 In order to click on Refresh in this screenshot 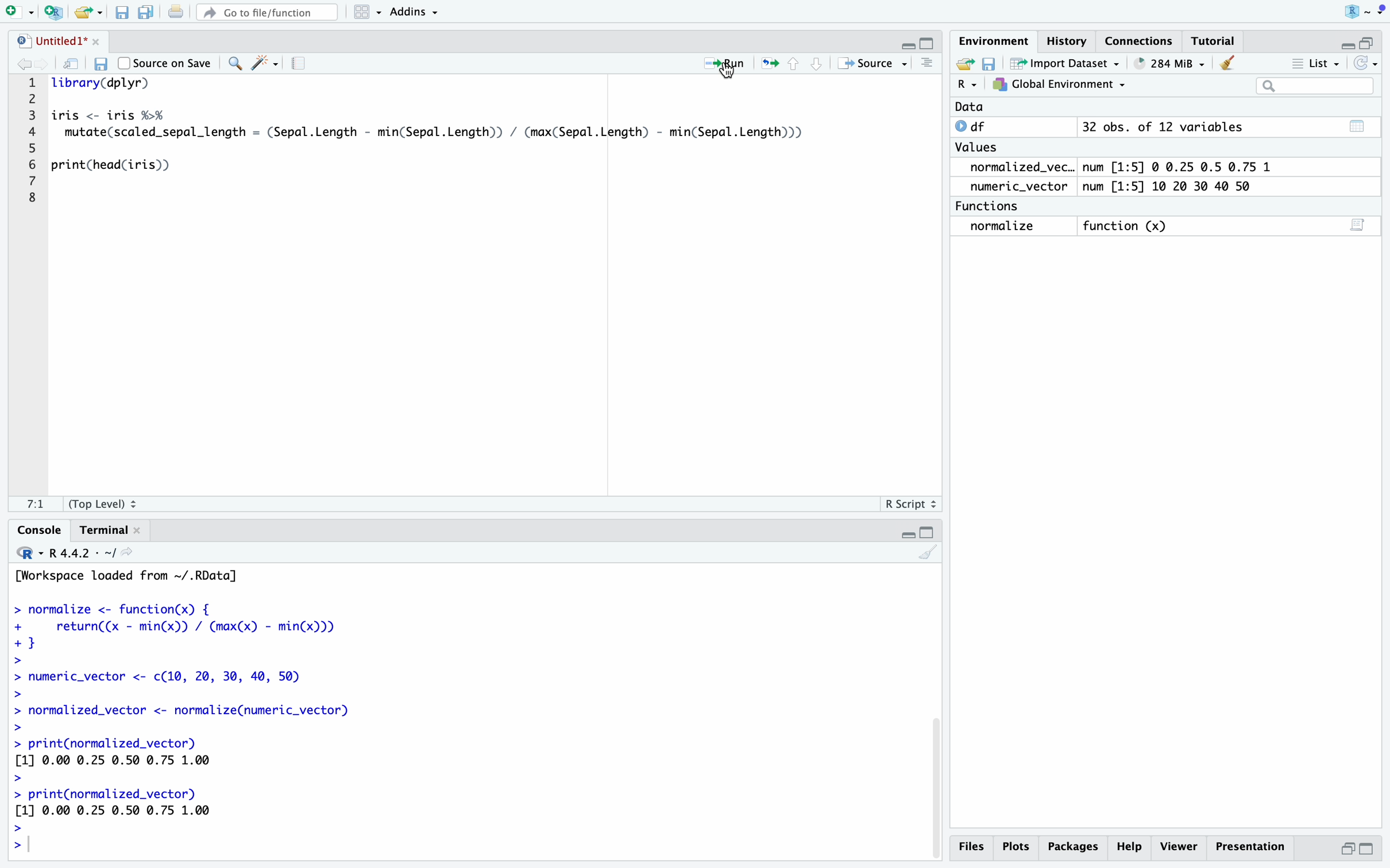, I will do `click(1367, 63)`.